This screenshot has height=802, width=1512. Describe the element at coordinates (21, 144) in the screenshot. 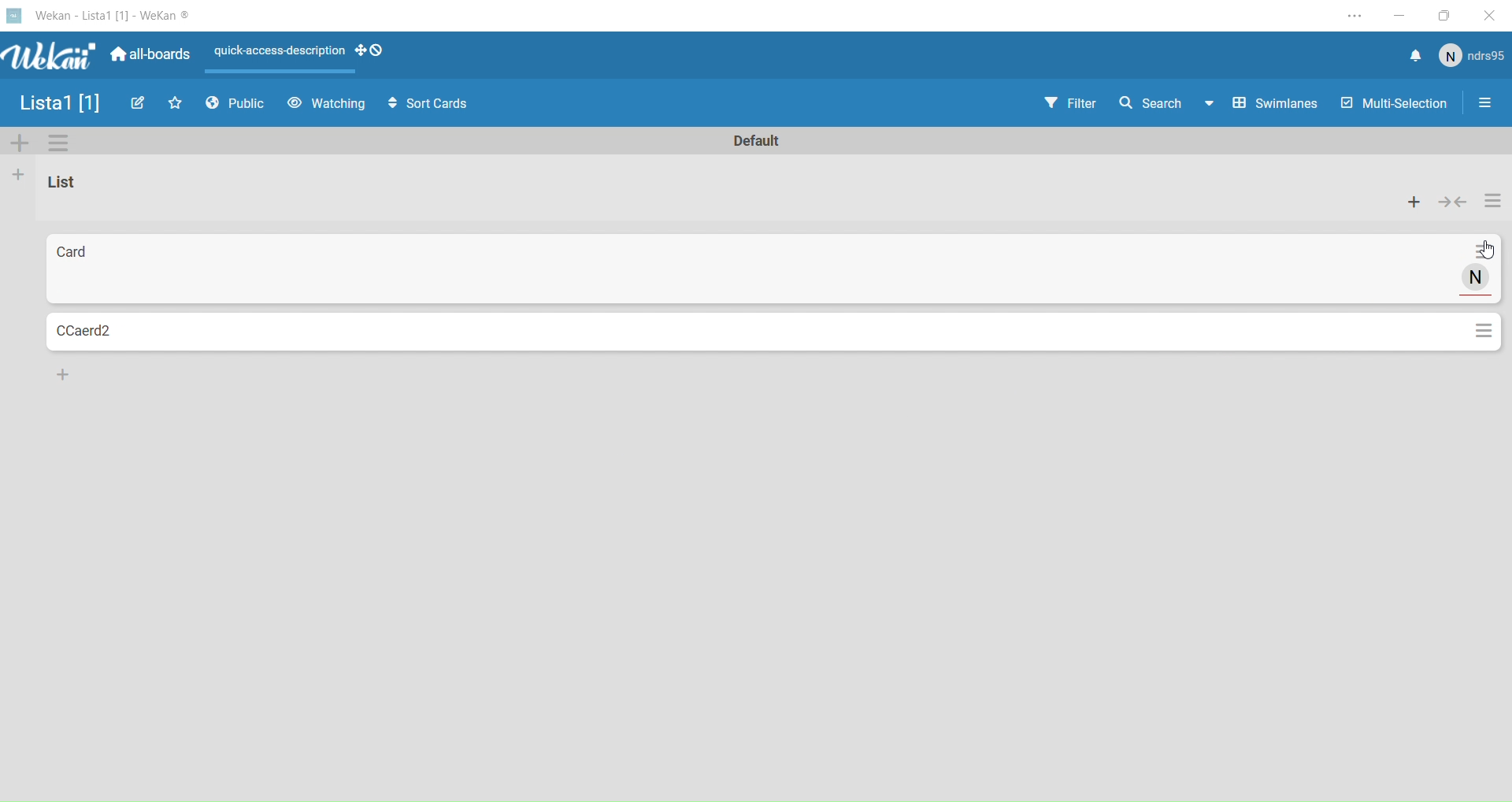

I see `Add` at that location.